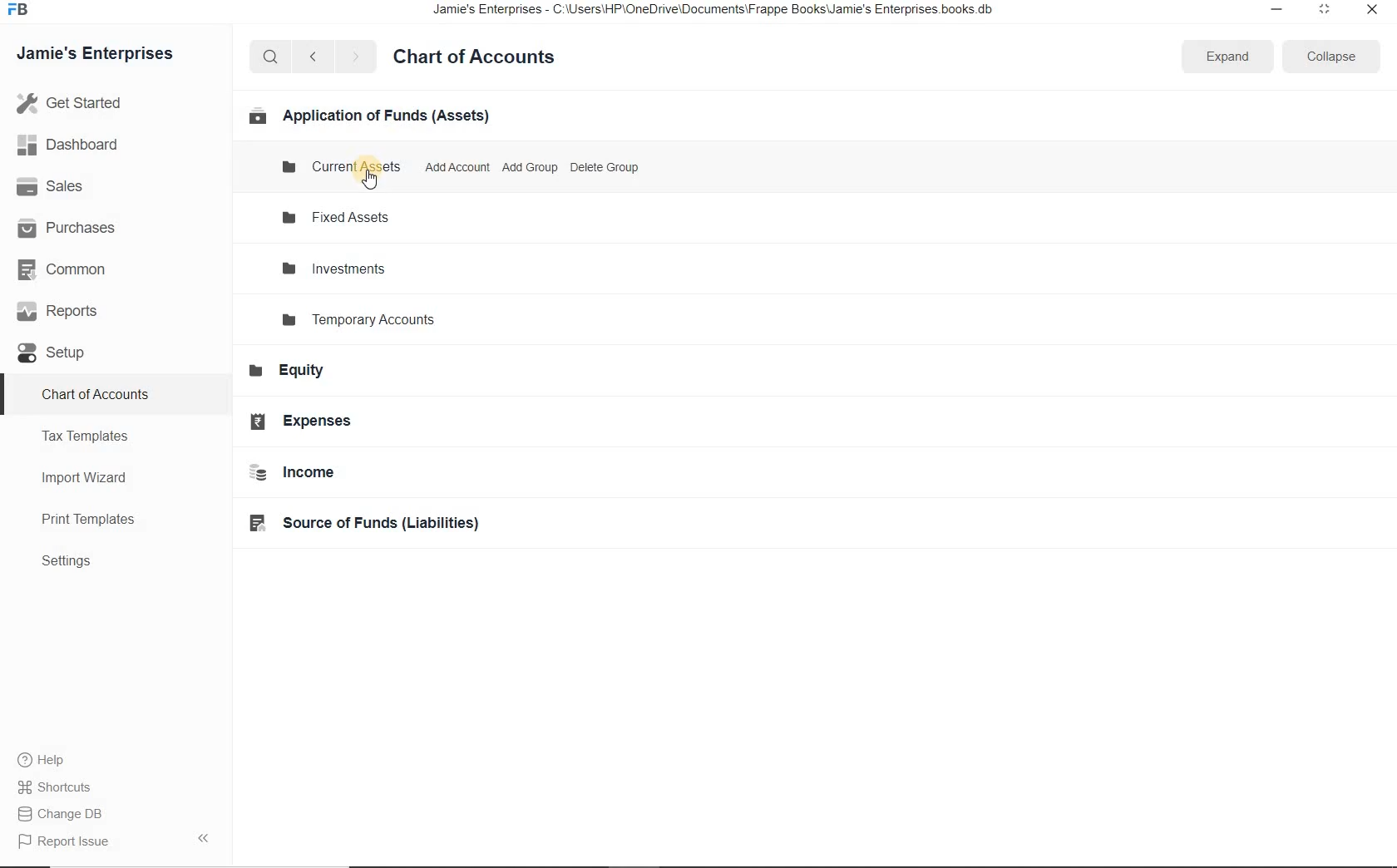  I want to click on Sales, so click(72, 187).